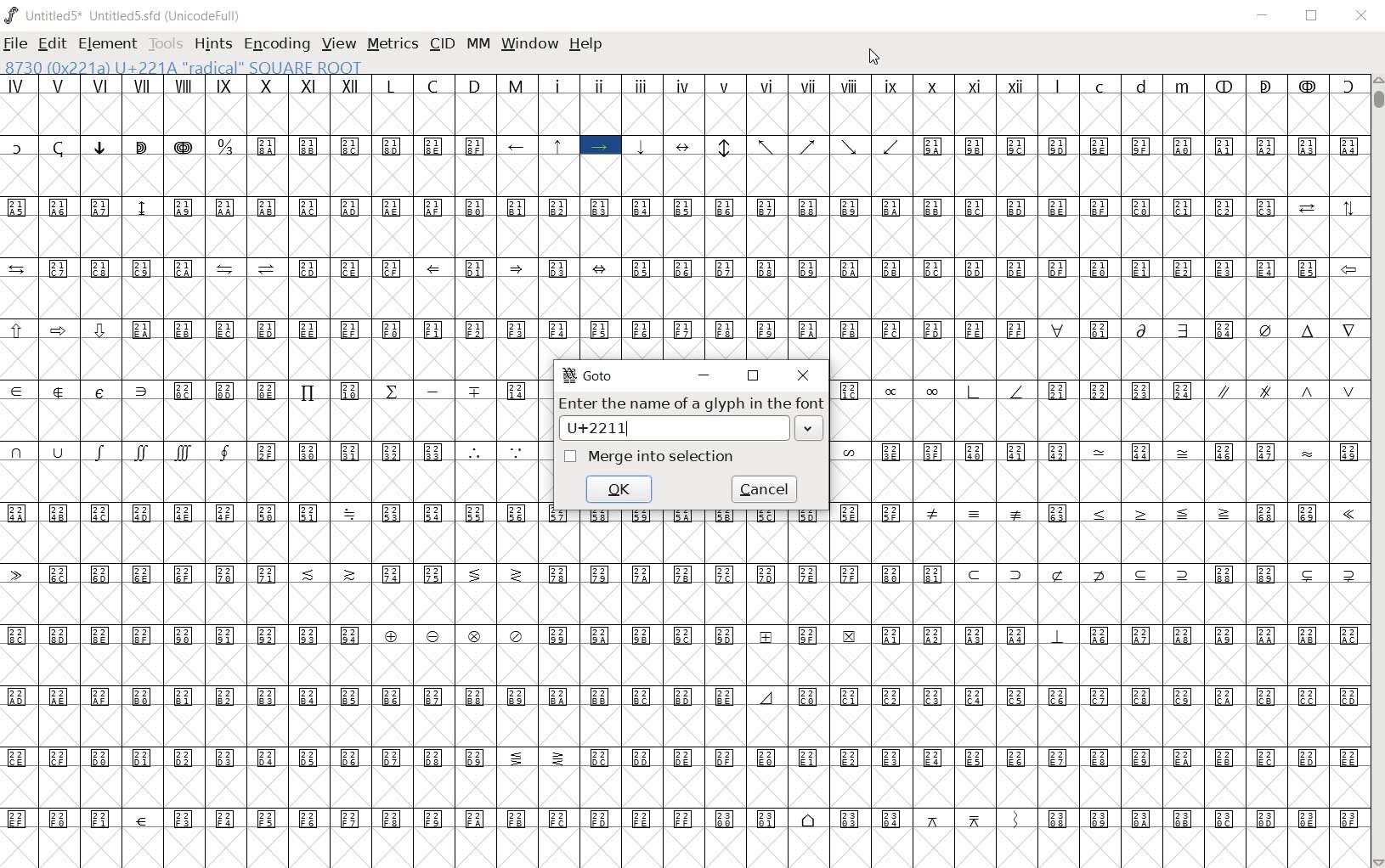  Describe the element at coordinates (1263, 16) in the screenshot. I see `MINIMIZE` at that location.